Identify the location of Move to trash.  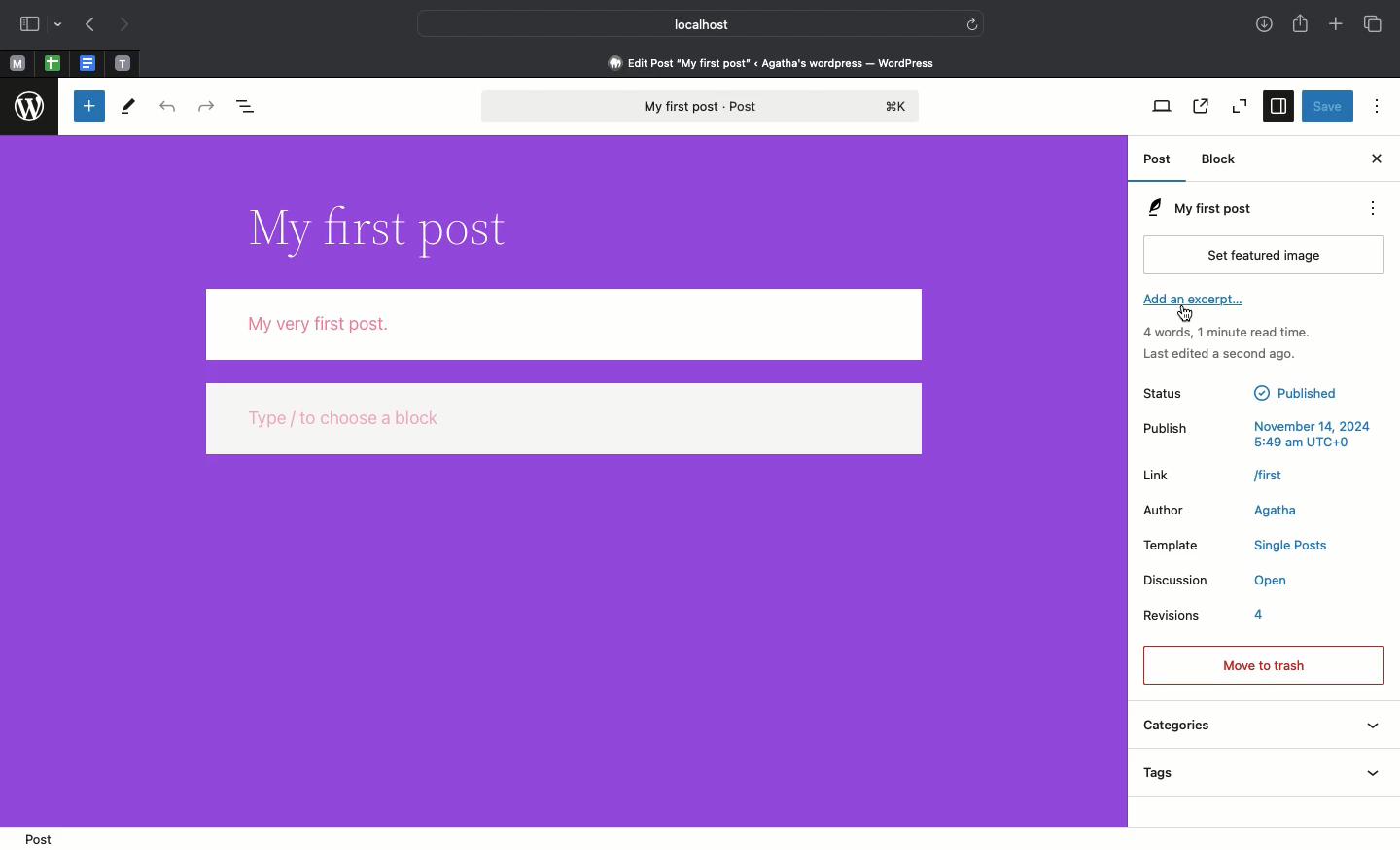
(1263, 663).